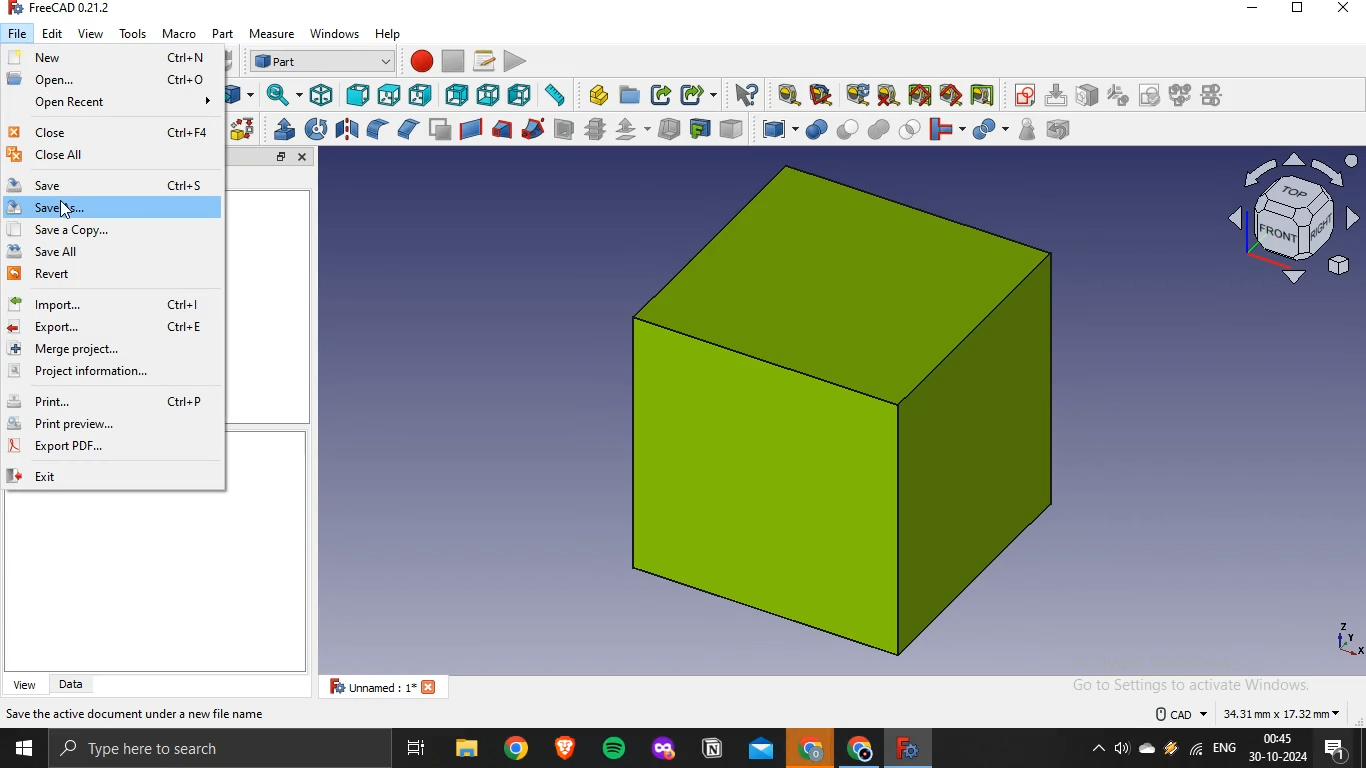 The height and width of the screenshot is (768, 1366). I want to click on view, so click(26, 686).